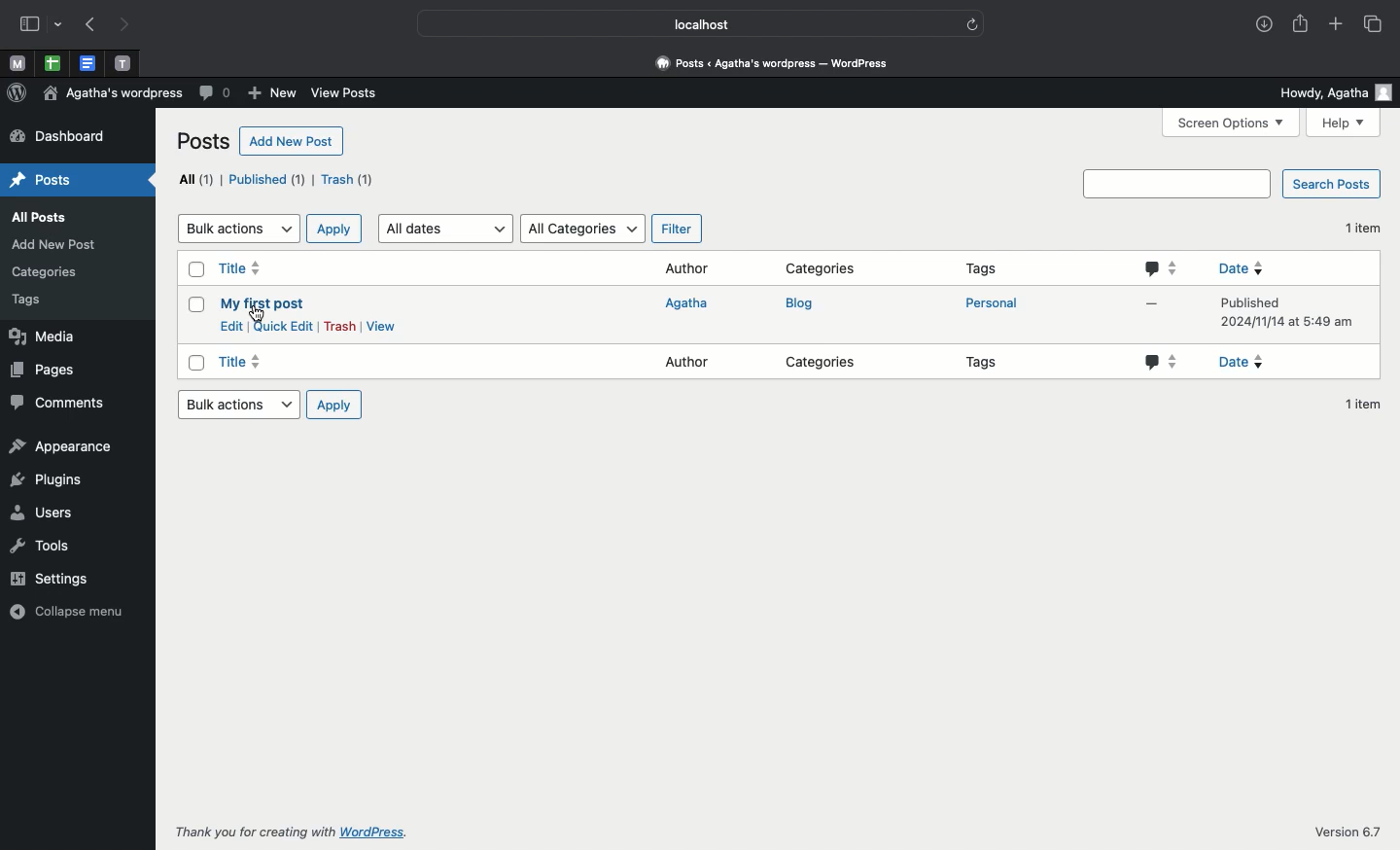 This screenshot has height=850, width=1400. I want to click on Settings, so click(56, 580).